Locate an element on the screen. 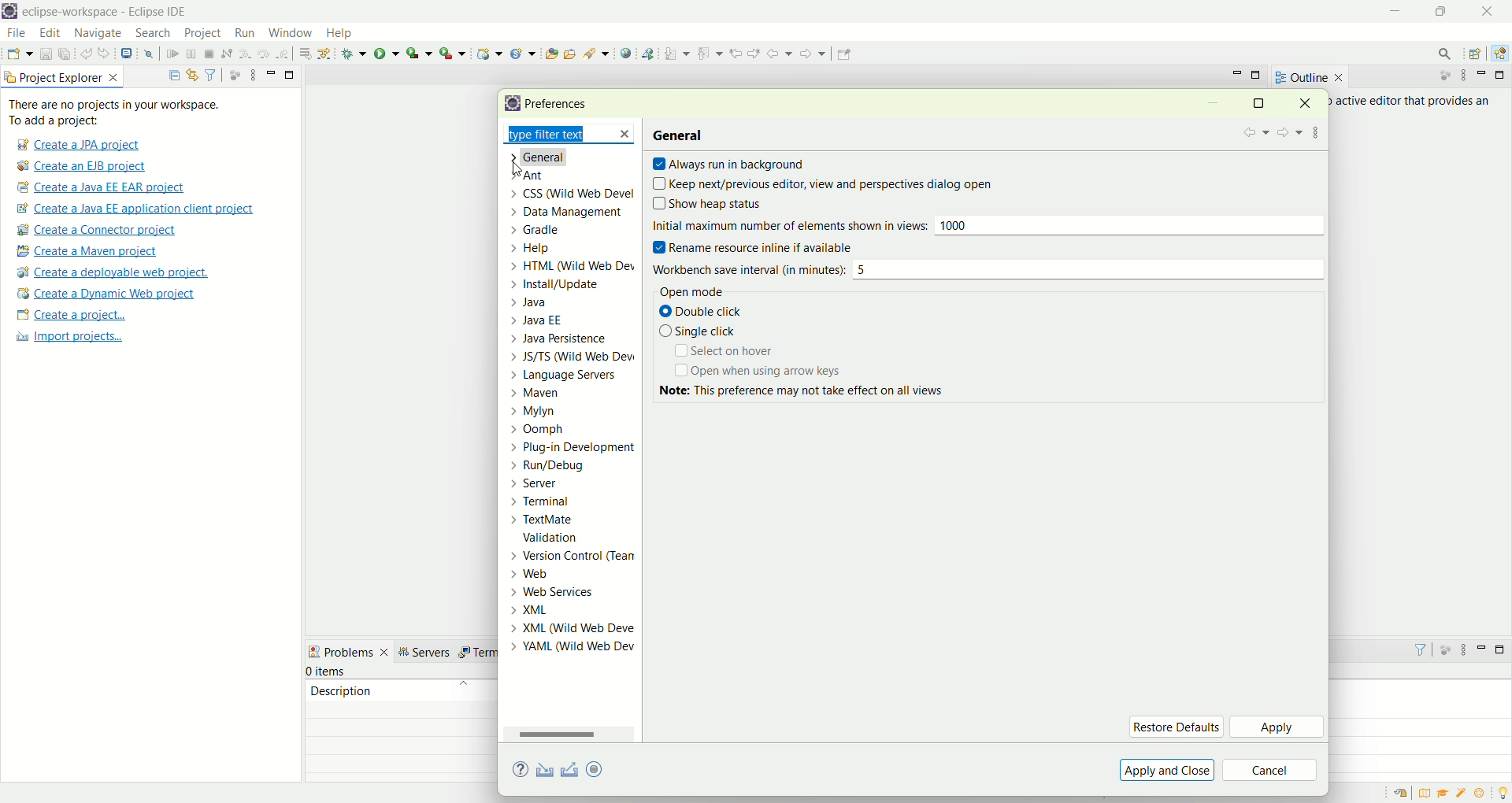  restore default is located at coordinates (1176, 727).